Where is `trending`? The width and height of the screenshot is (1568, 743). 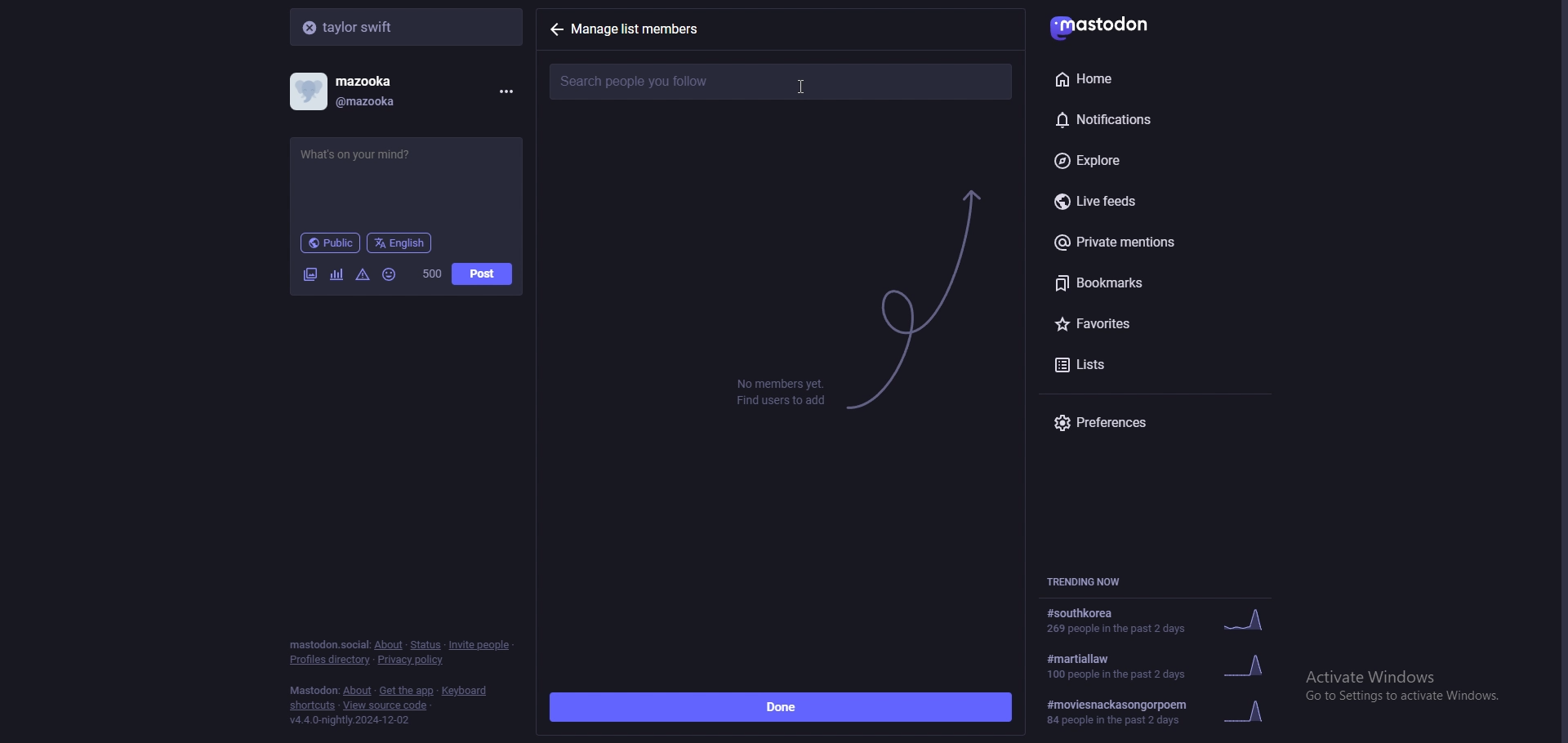
trending is located at coordinates (1164, 712).